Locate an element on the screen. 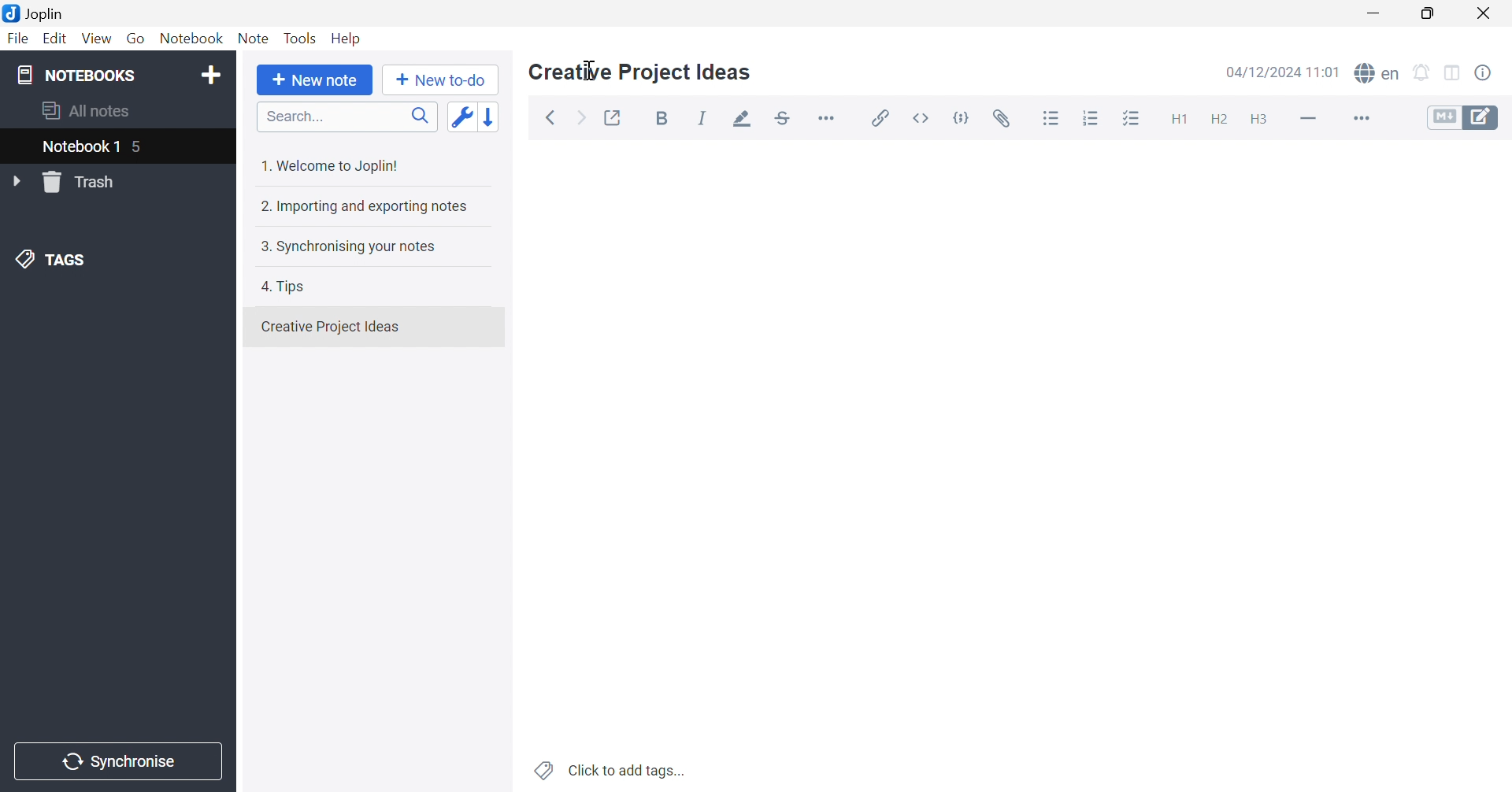  Bold is located at coordinates (665, 120).